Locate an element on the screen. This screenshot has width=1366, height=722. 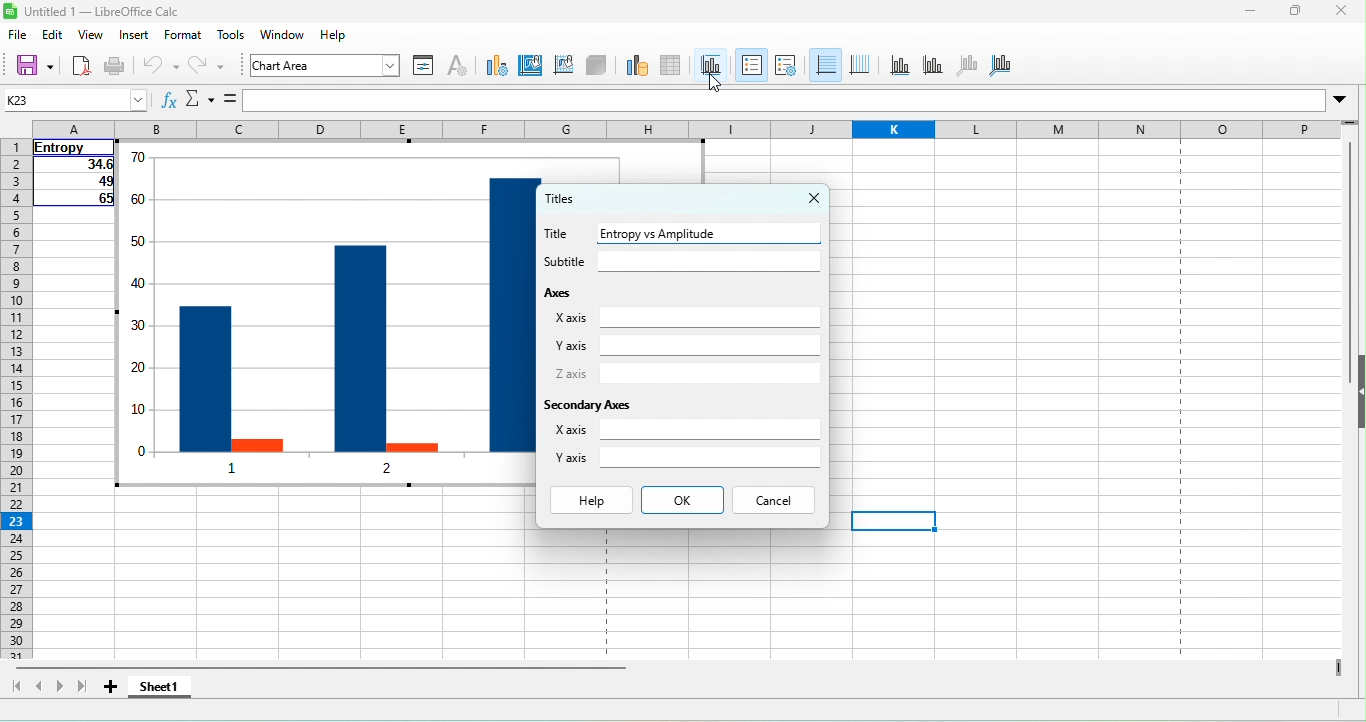
tool is located at coordinates (231, 37).